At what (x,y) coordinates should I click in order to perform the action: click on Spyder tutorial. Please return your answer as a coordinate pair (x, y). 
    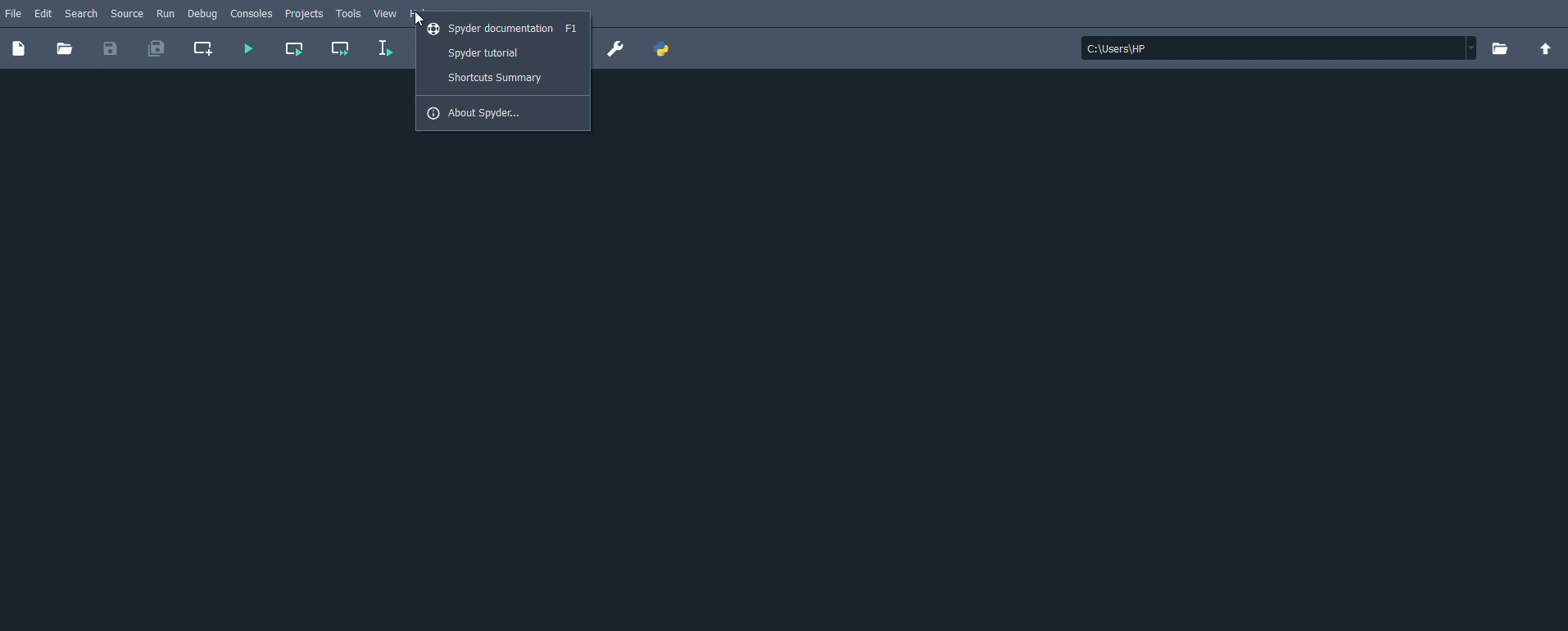
    Looking at the image, I should click on (483, 52).